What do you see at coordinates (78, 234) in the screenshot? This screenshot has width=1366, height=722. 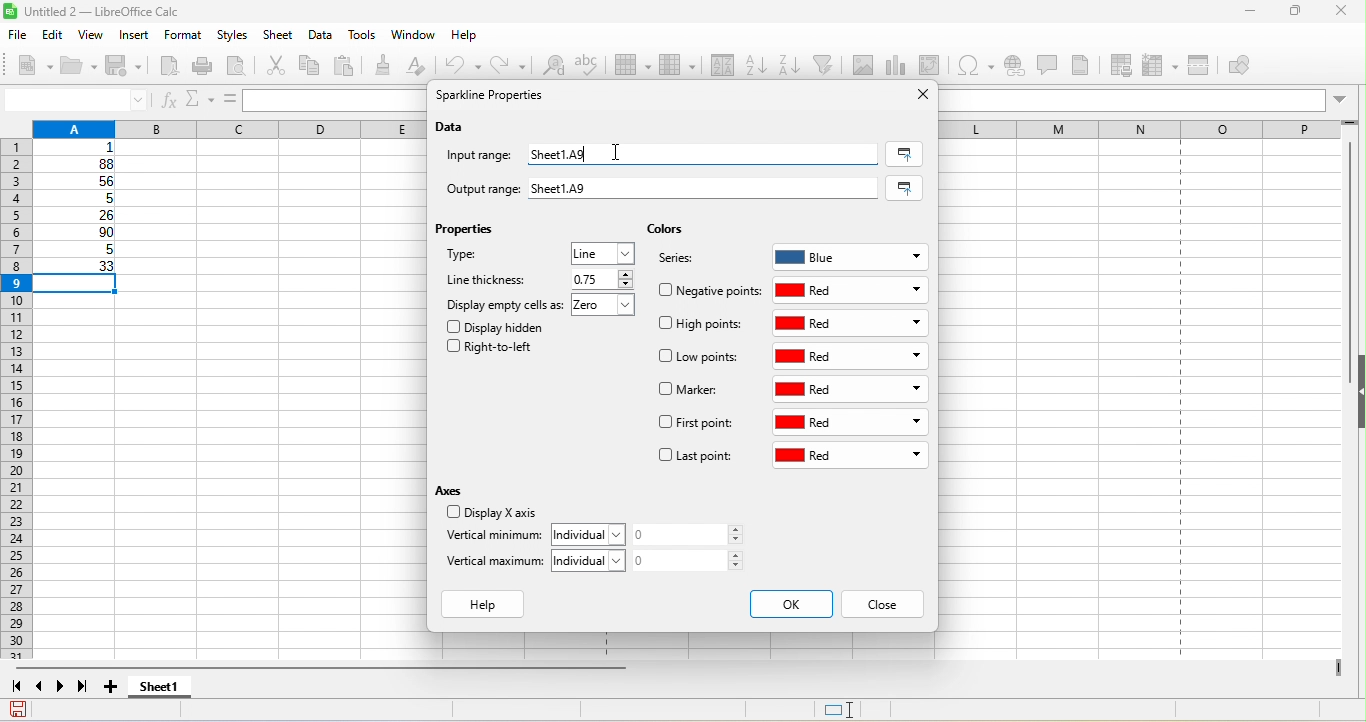 I see `90` at bounding box center [78, 234].